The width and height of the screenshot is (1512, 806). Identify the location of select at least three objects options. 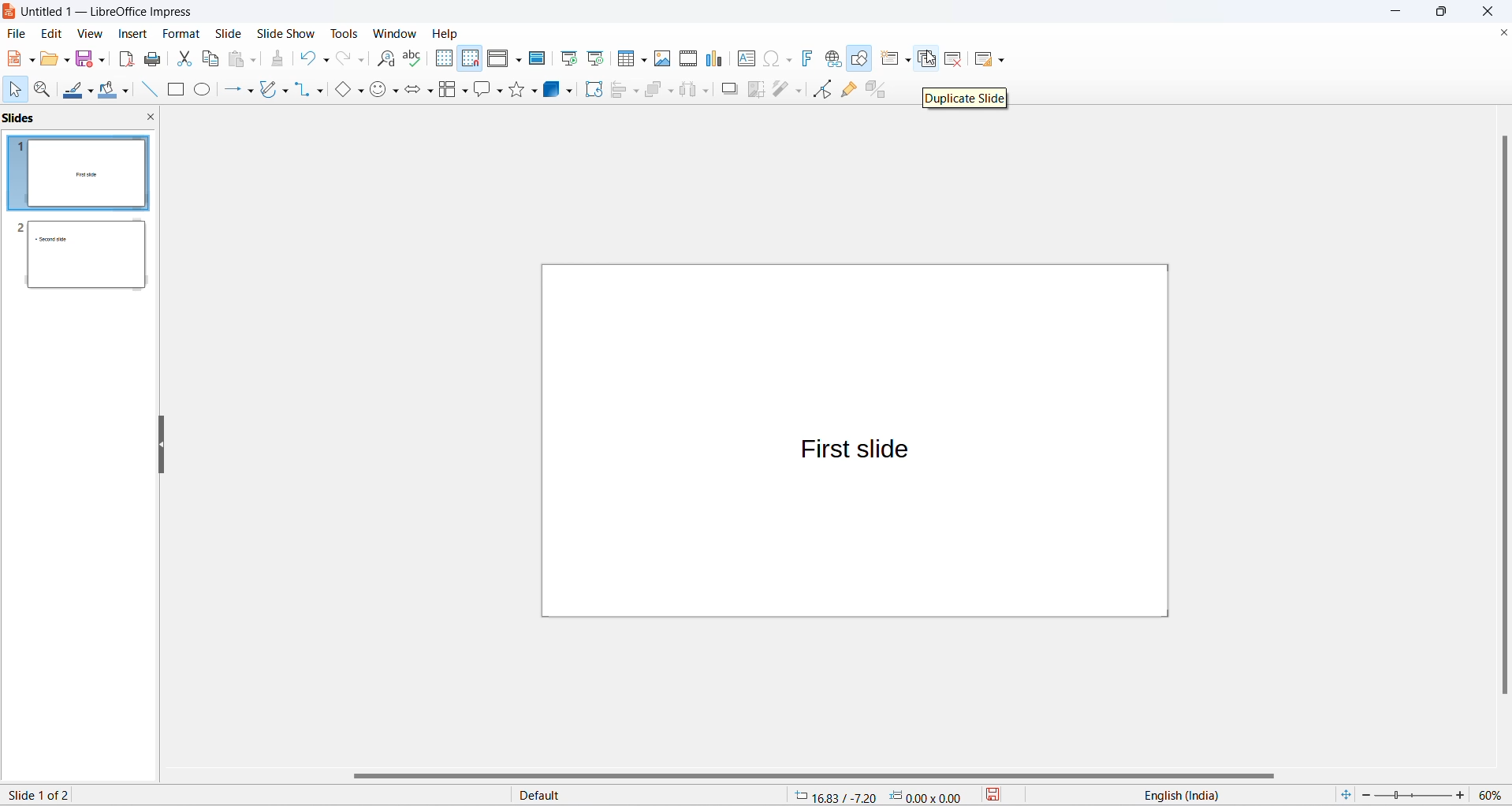
(709, 90).